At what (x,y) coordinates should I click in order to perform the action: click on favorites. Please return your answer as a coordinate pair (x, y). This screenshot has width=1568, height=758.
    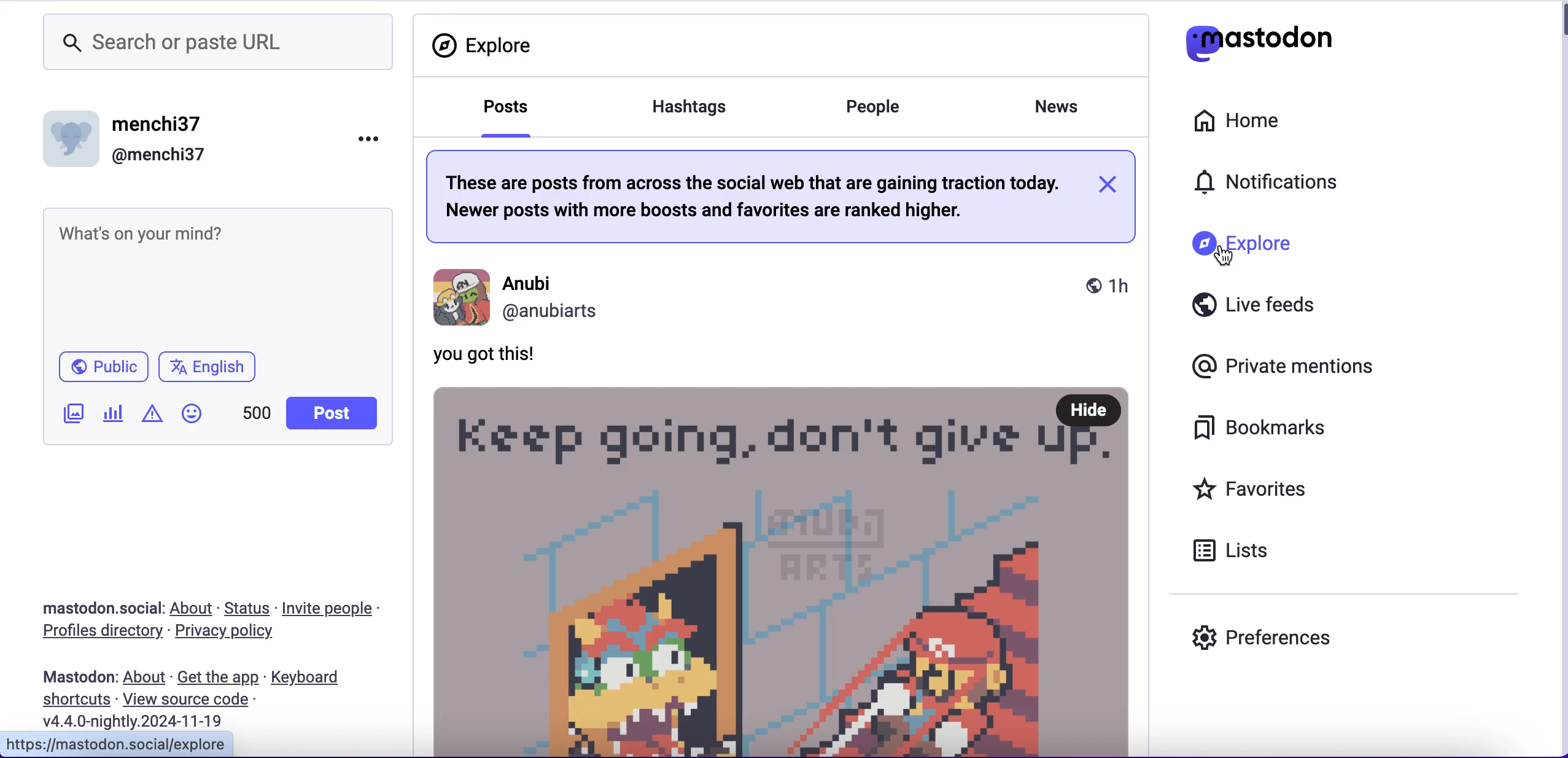
    Looking at the image, I should click on (1276, 488).